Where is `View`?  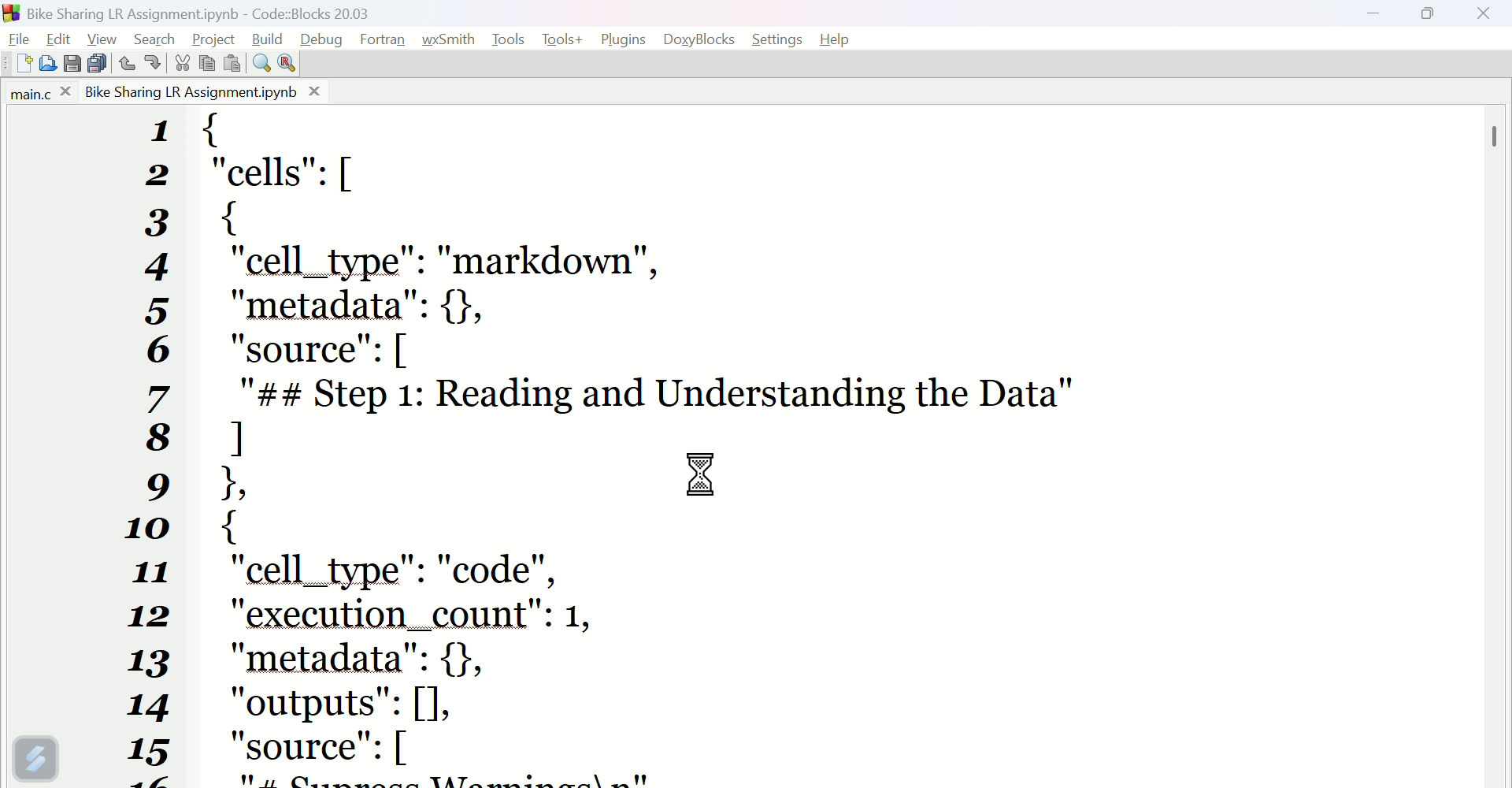
View is located at coordinates (105, 37).